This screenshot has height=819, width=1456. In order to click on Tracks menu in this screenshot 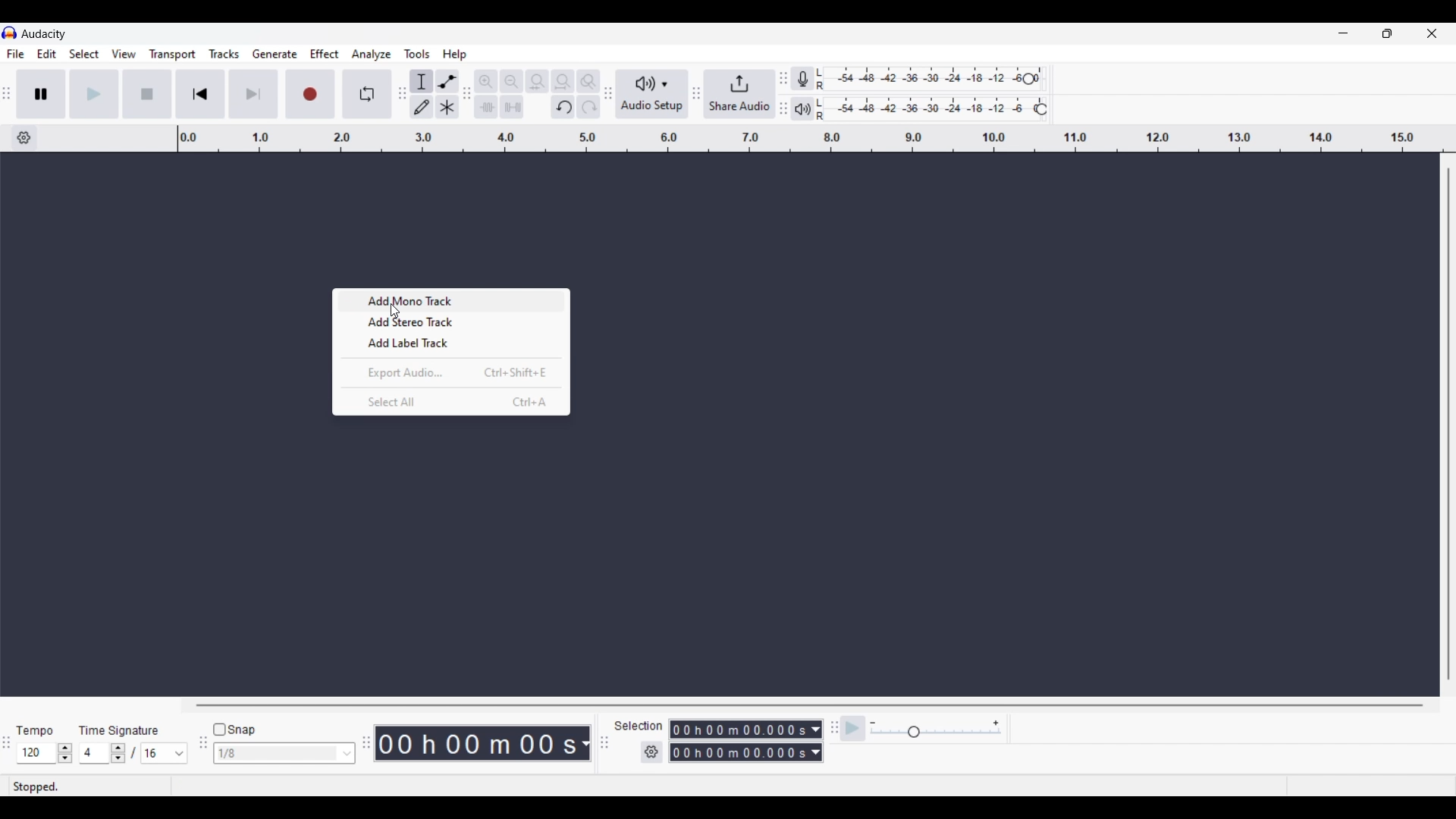, I will do `click(224, 54)`.